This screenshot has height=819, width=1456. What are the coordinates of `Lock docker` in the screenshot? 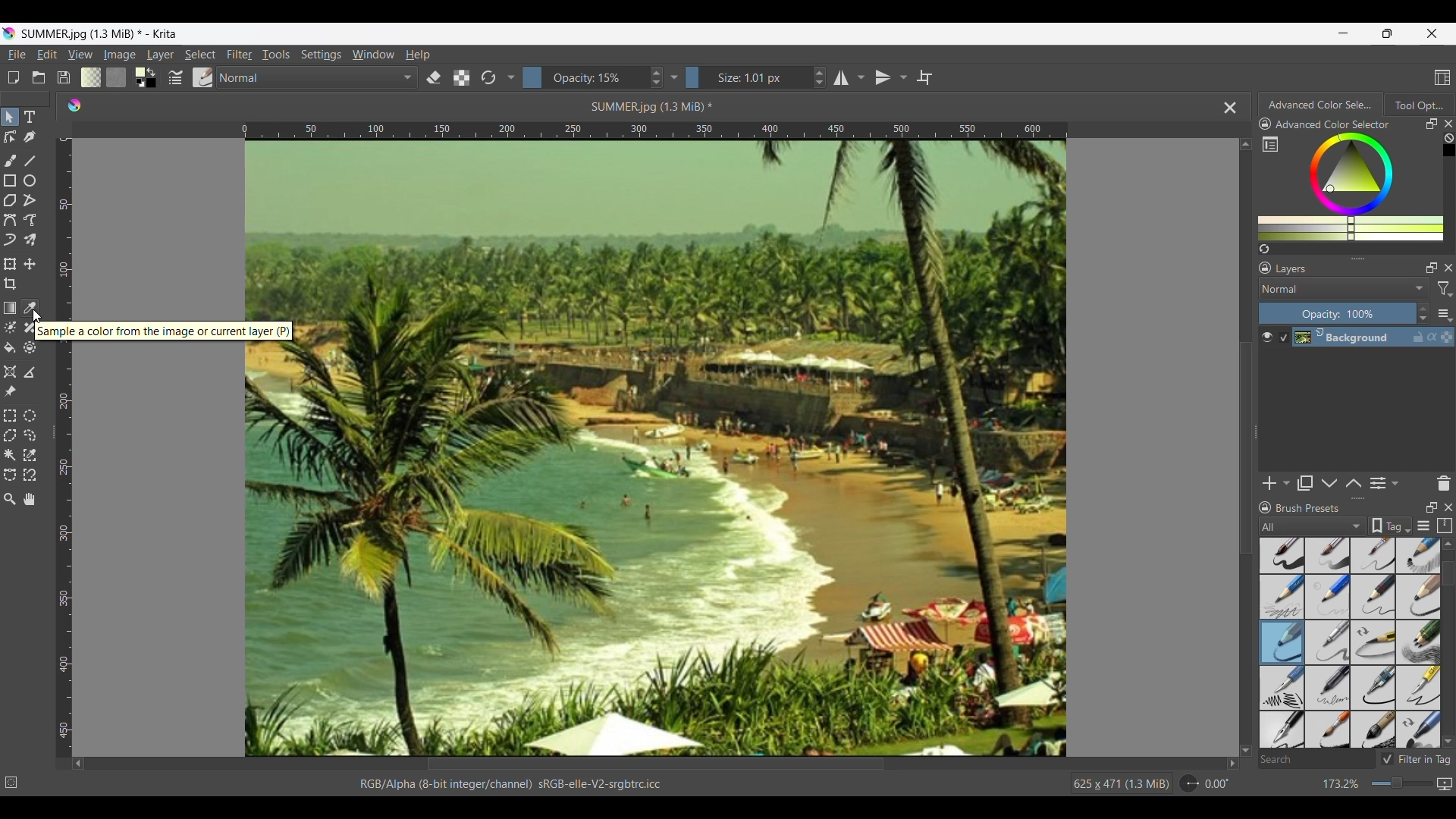 It's located at (1264, 124).